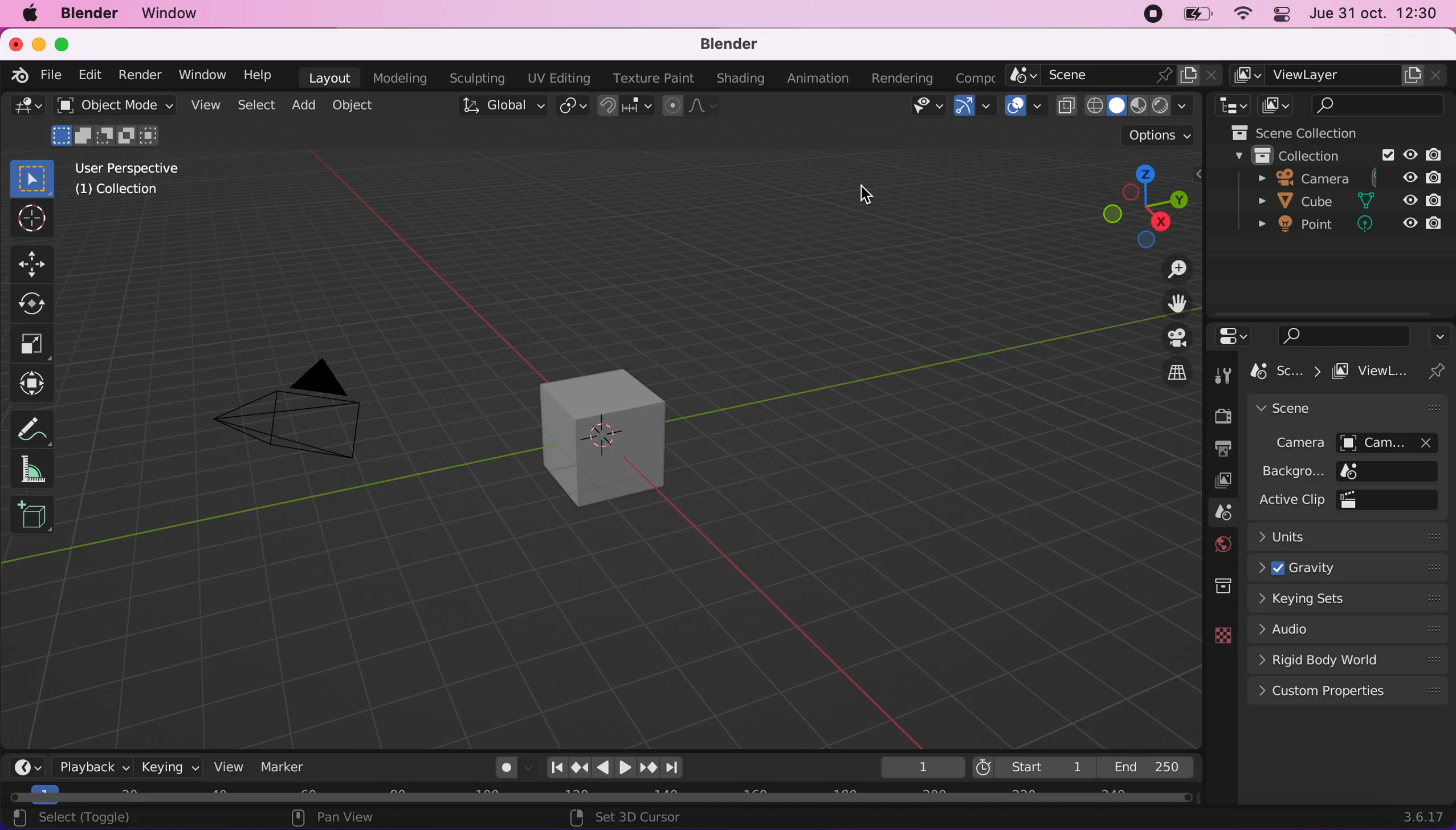 This screenshot has width=1456, height=830. Describe the element at coordinates (1393, 499) in the screenshot. I see `active clip` at that location.